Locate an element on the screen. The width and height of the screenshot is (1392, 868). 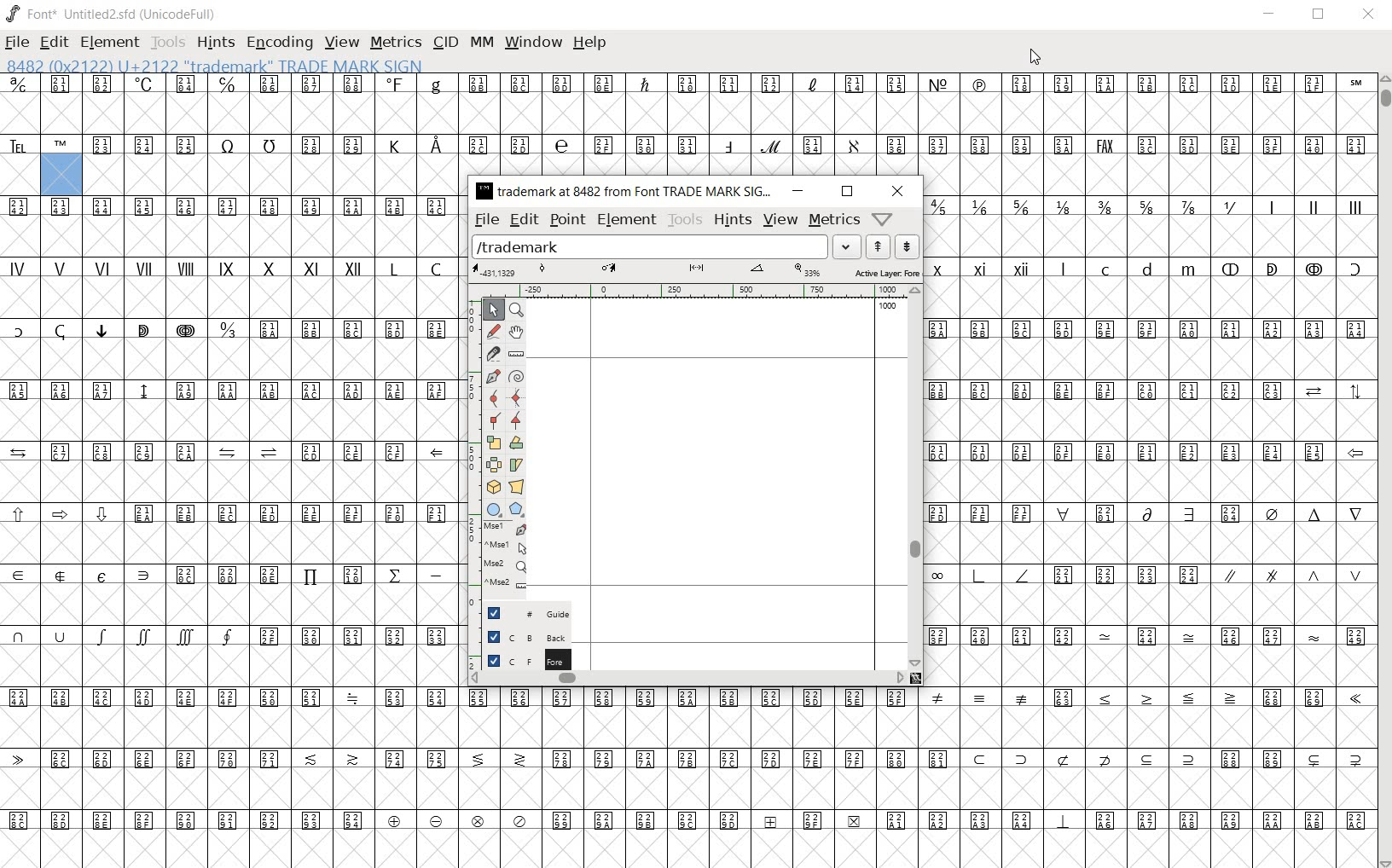
TOOLS is located at coordinates (167, 42).